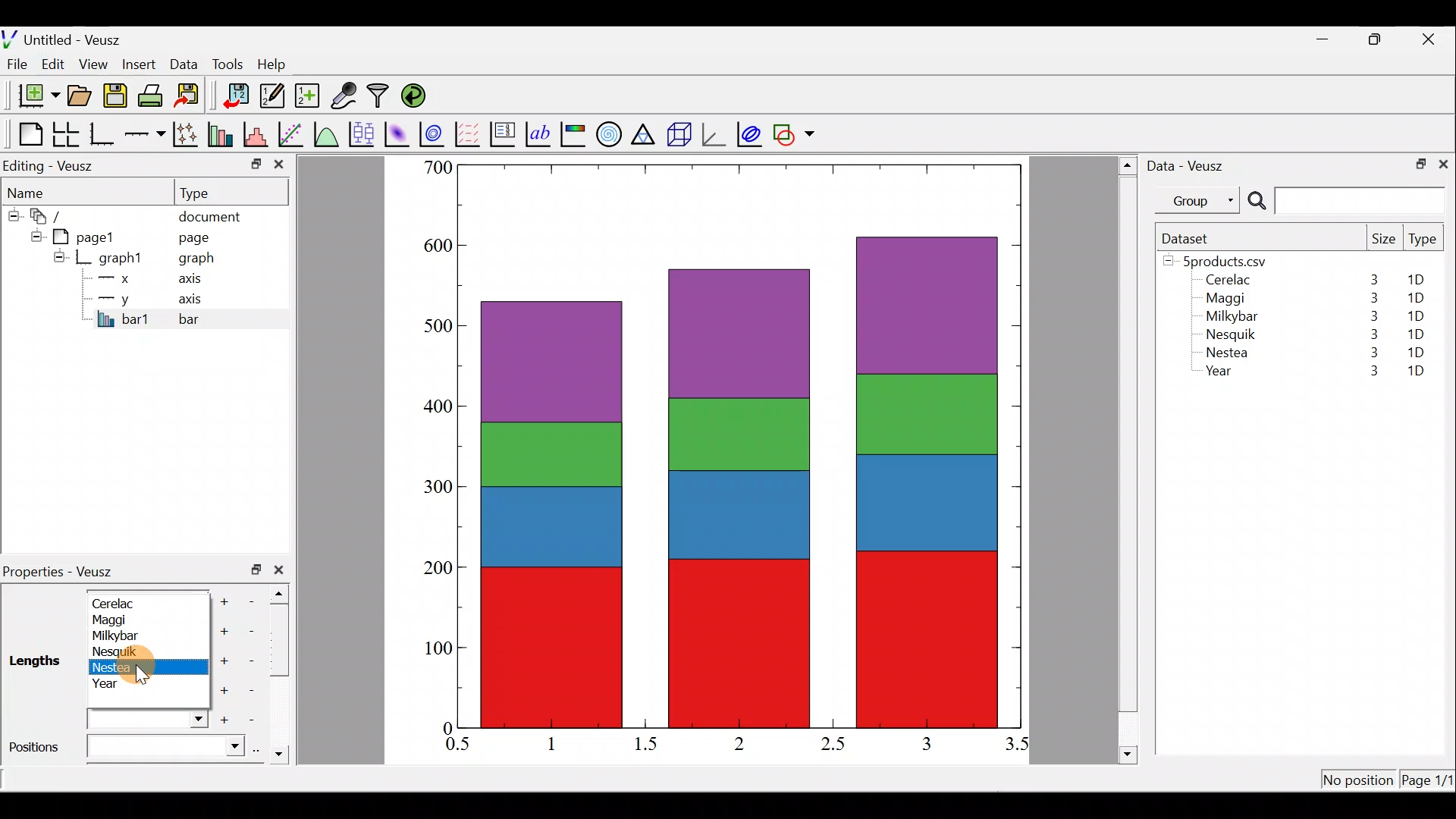 This screenshot has width=1456, height=819. I want to click on hide, so click(12, 213).